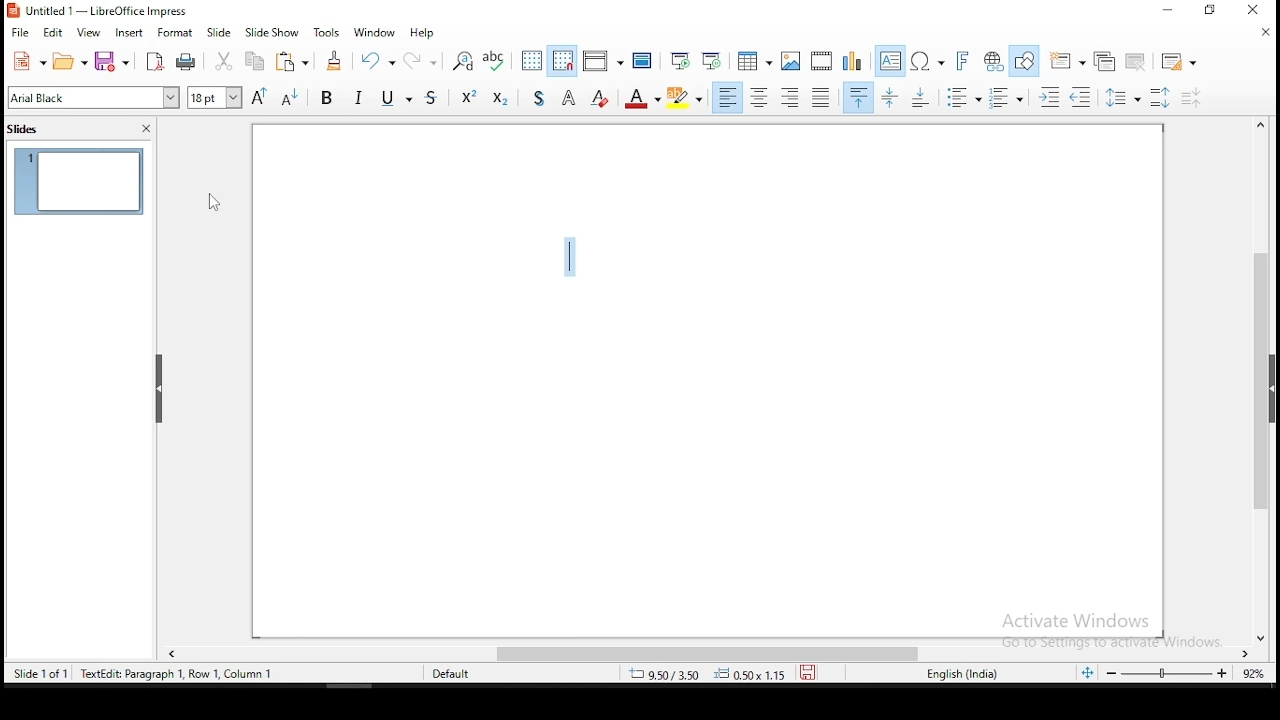  I want to click on Superscript, so click(468, 95).